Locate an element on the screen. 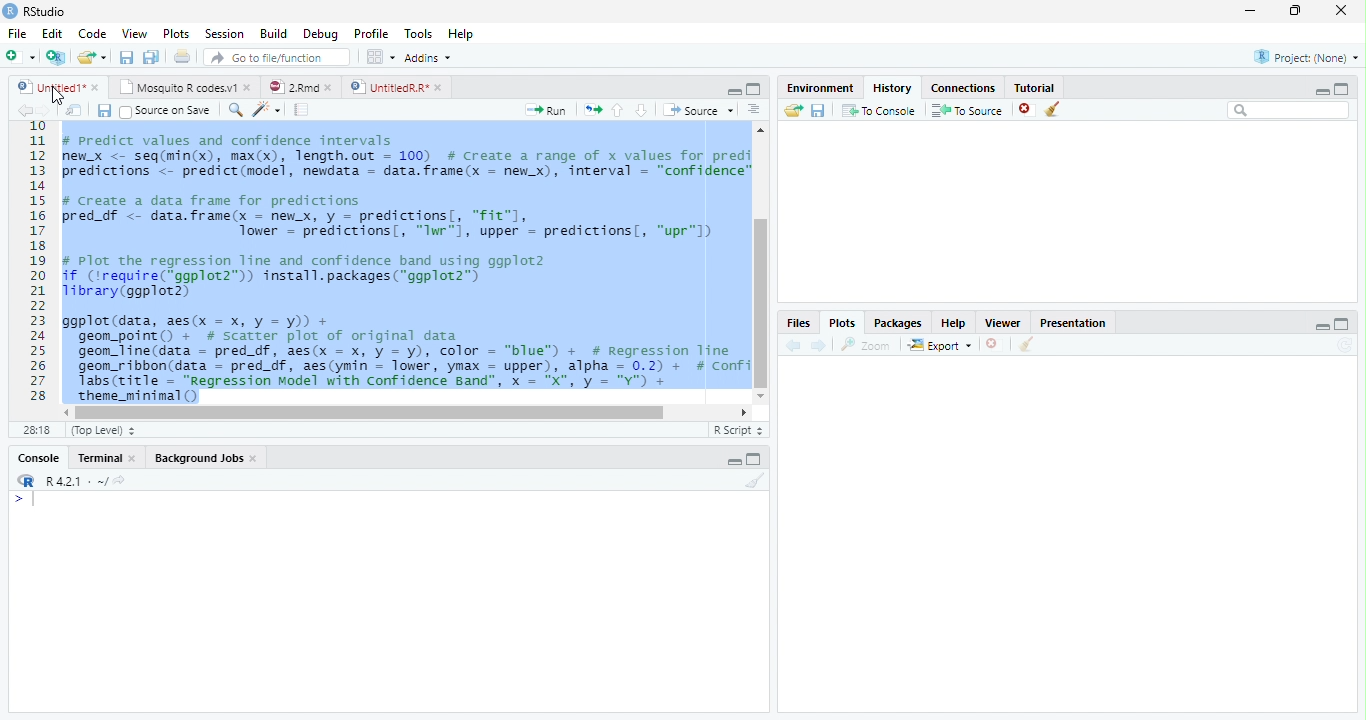 This screenshot has width=1366, height=720. Source is located at coordinates (699, 111).